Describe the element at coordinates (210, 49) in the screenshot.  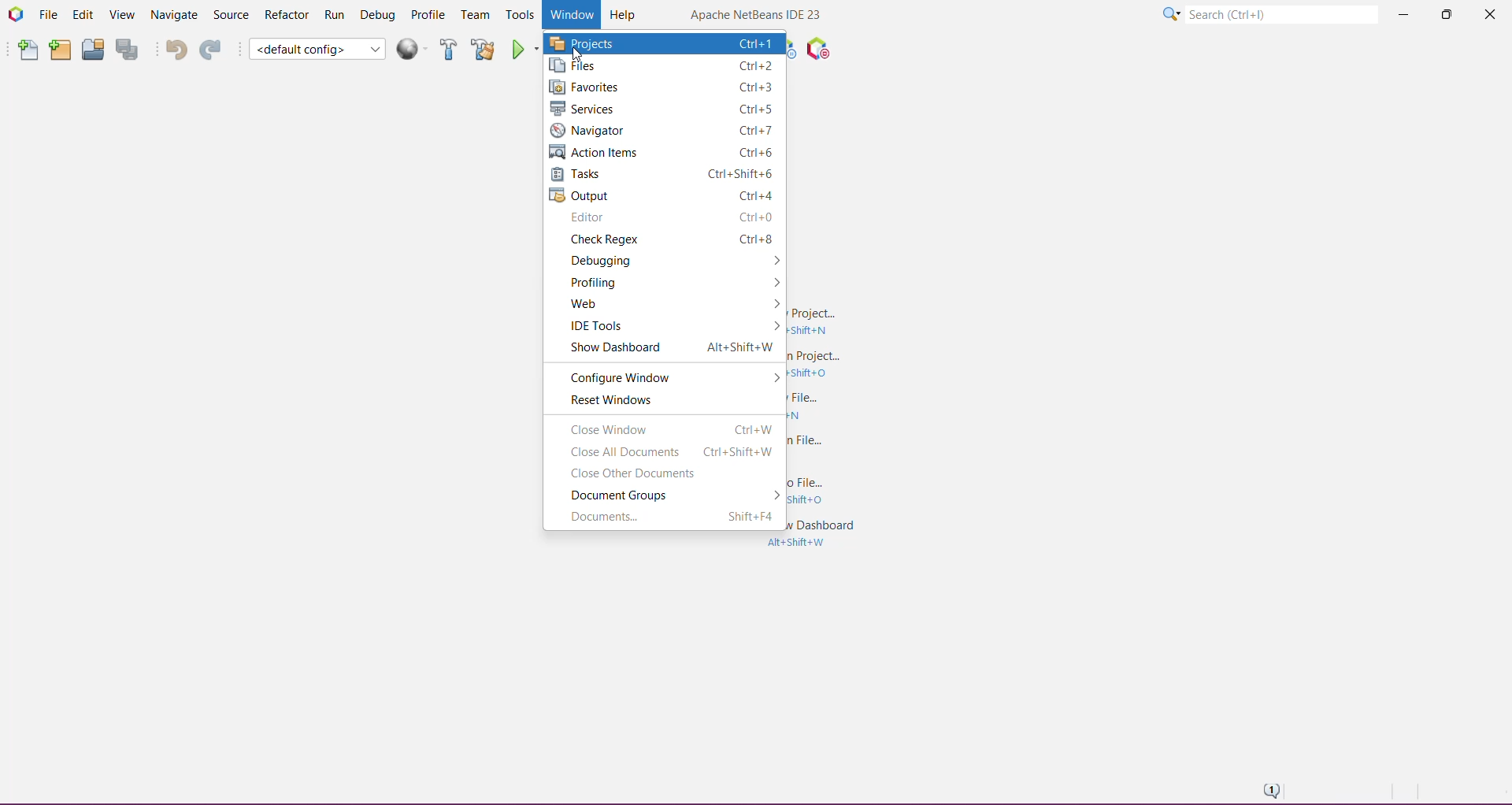
I see `Redo` at that location.